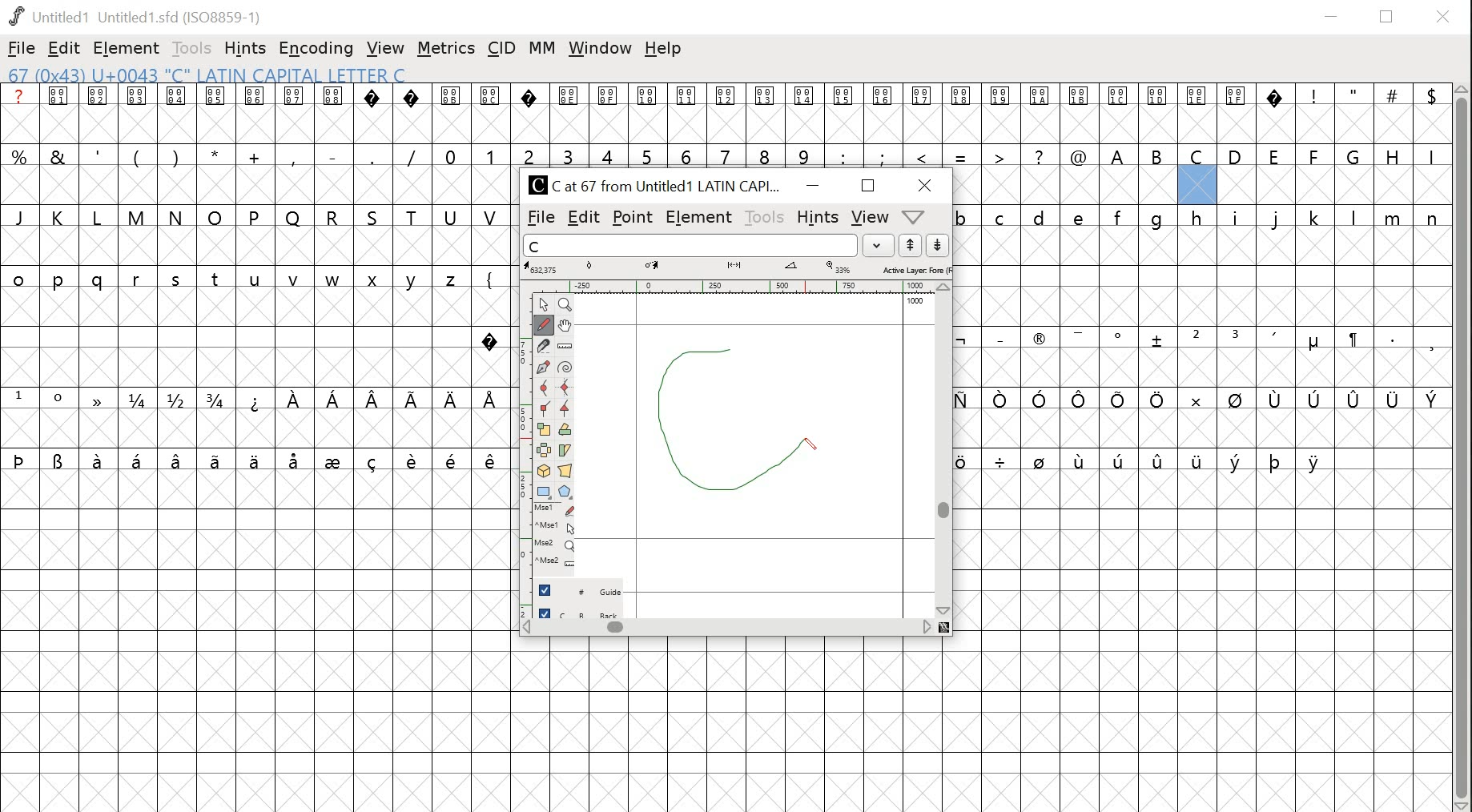  I want to click on view, so click(384, 47).